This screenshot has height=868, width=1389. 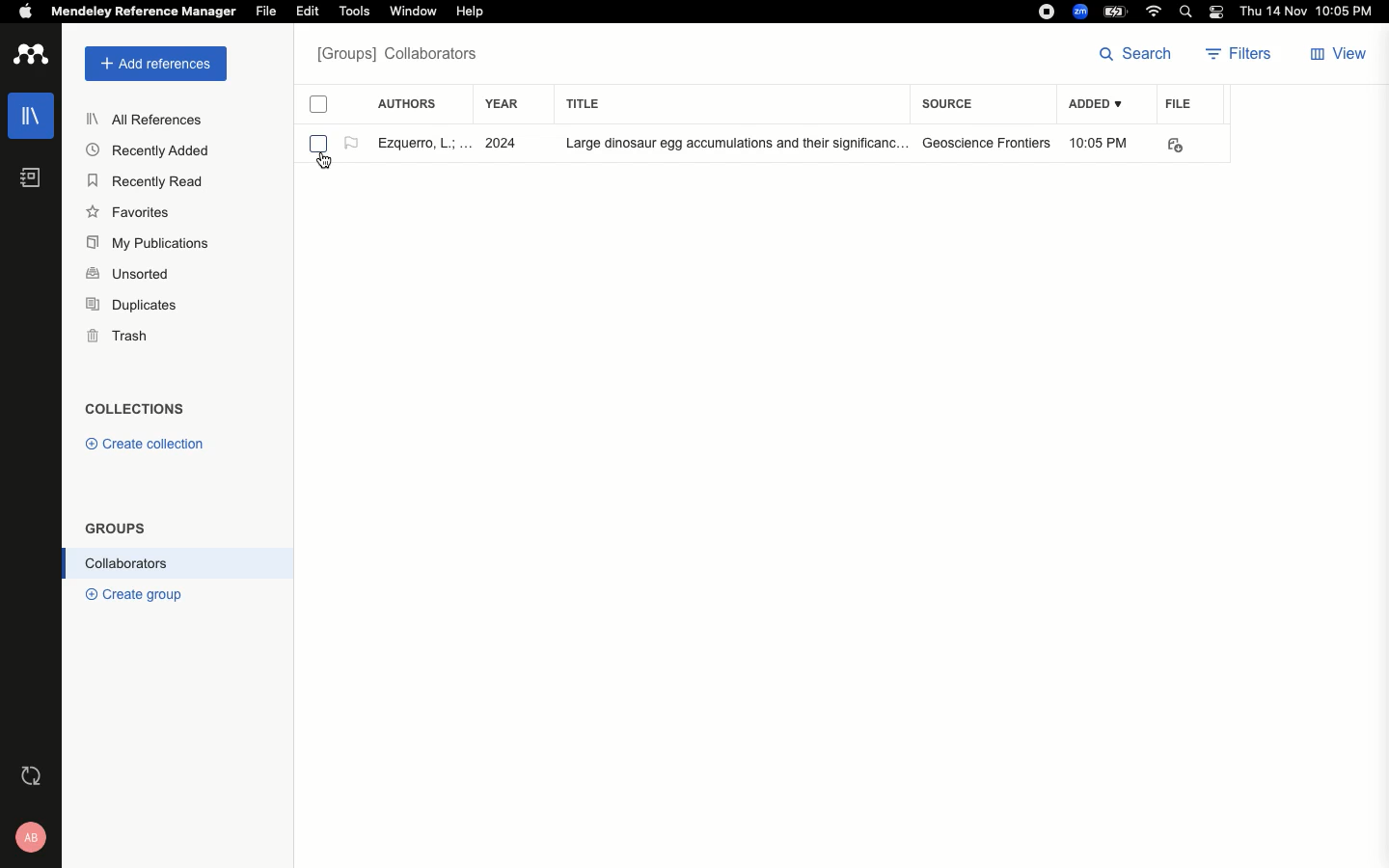 What do you see at coordinates (117, 528) in the screenshot?
I see `Groups` at bounding box center [117, 528].